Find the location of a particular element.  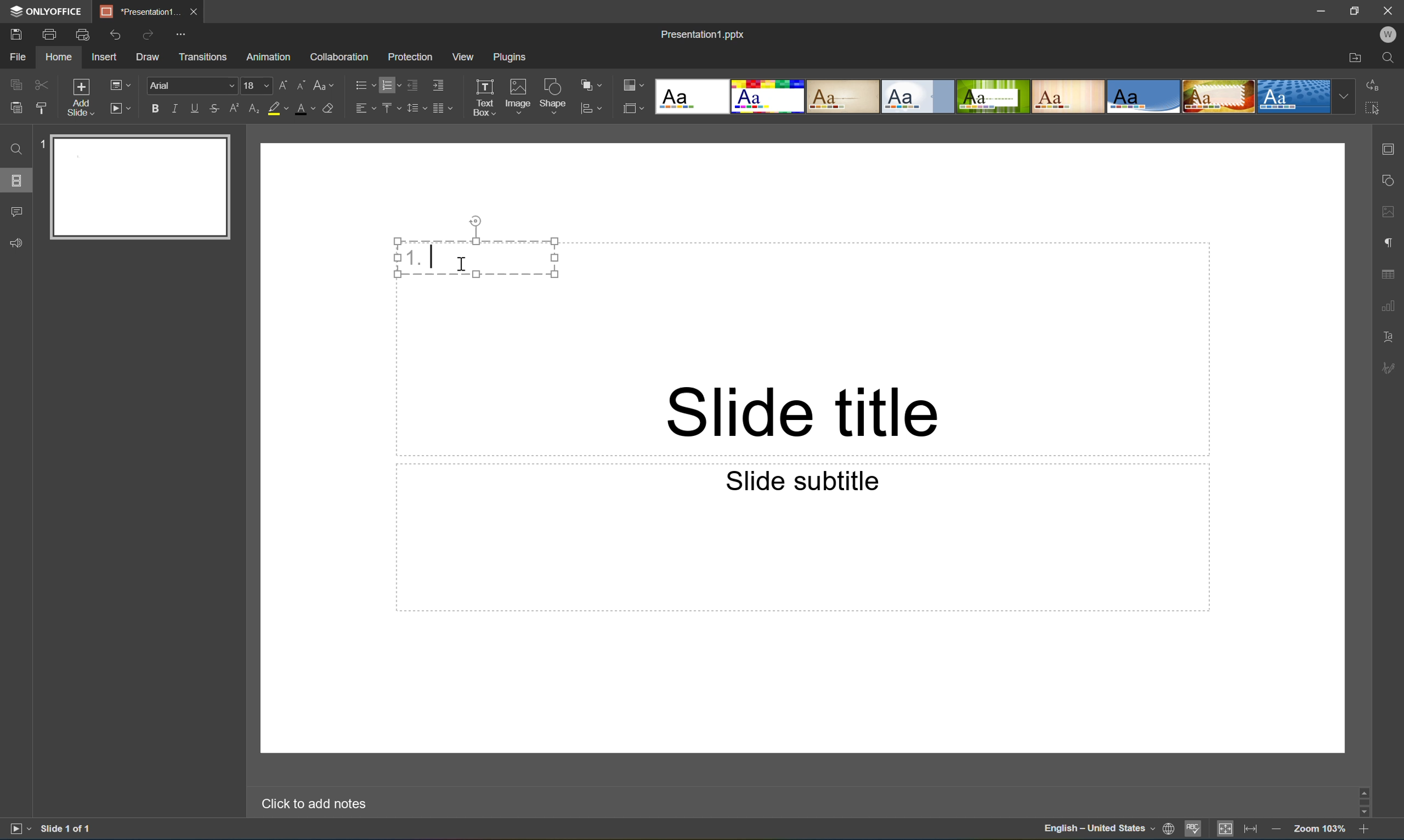

Underline is located at coordinates (198, 109).